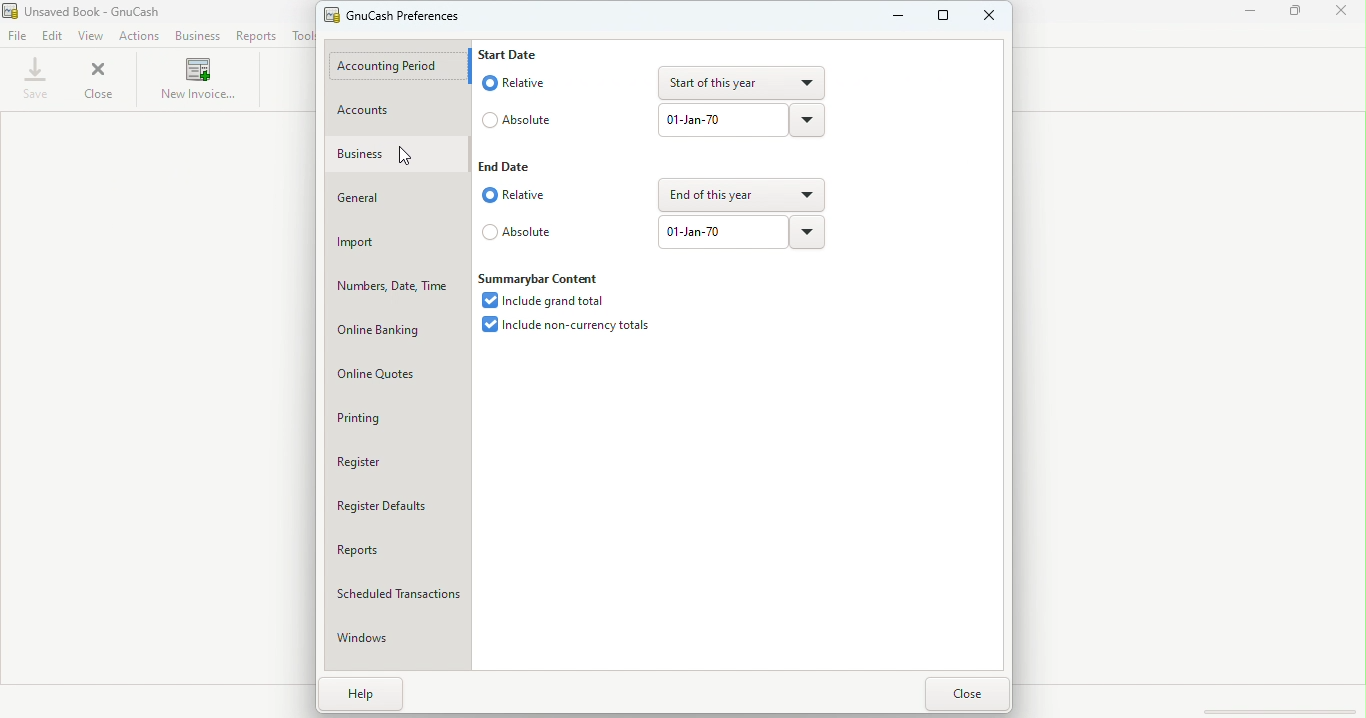  Describe the element at coordinates (399, 152) in the screenshot. I see `Business` at that location.